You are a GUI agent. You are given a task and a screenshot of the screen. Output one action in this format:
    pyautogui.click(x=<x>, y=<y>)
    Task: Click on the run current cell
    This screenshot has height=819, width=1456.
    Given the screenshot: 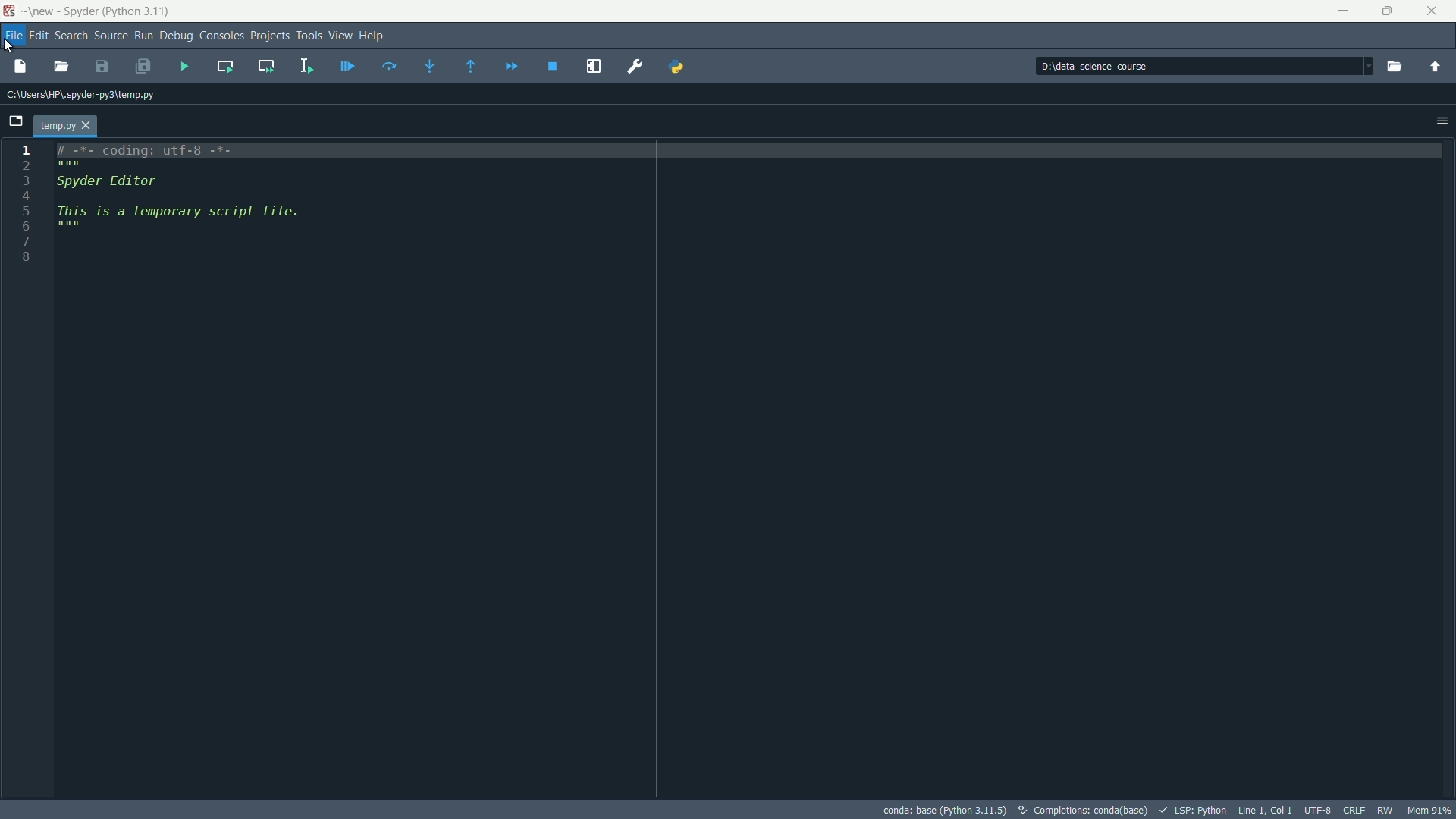 What is the action you would take?
    pyautogui.click(x=229, y=67)
    